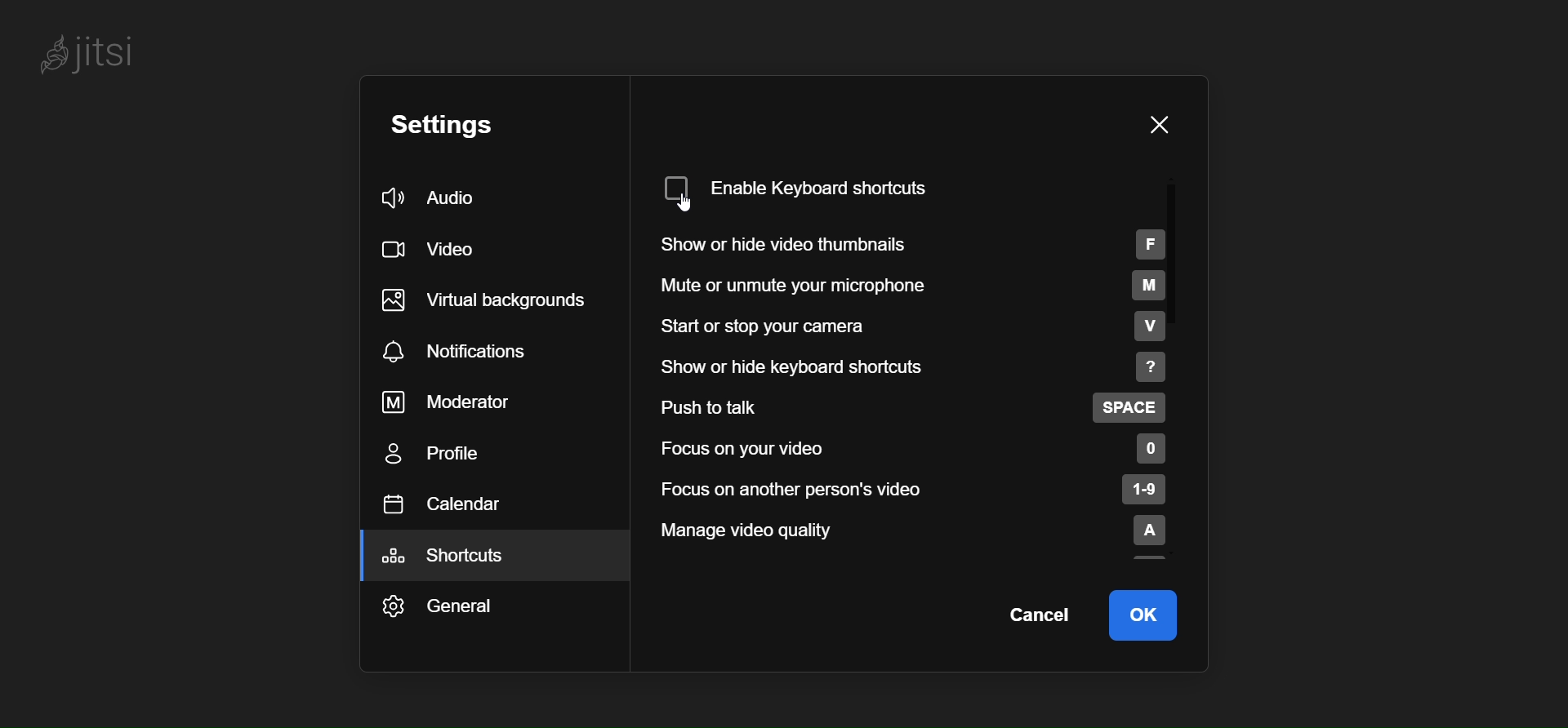 The width and height of the screenshot is (1568, 728). Describe the element at coordinates (452, 402) in the screenshot. I see `moderator` at that location.